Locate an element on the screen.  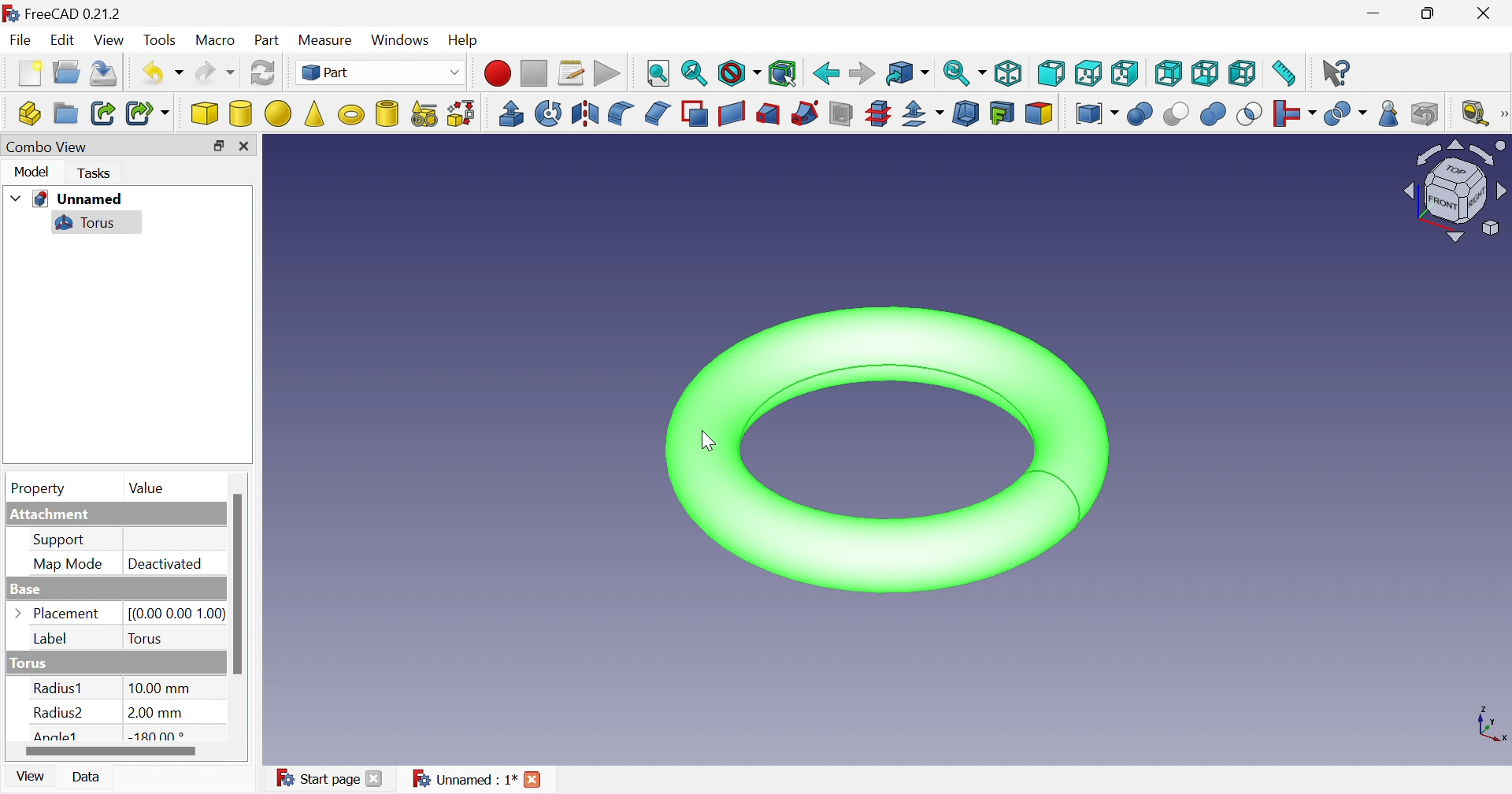
Property is located at coordinates (34, 488).